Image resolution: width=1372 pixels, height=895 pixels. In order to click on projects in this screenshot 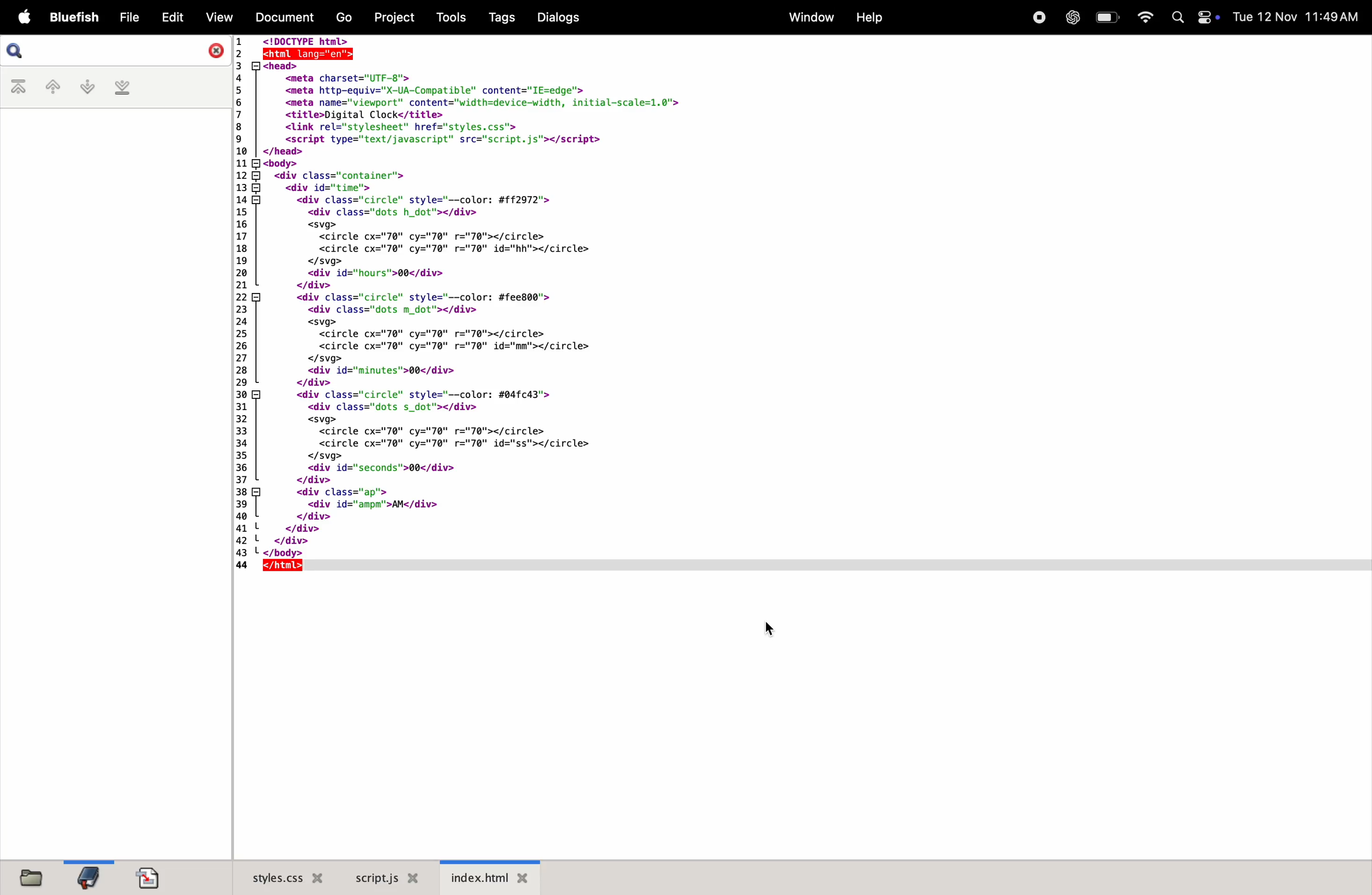, I will do `click(395, 18)`.